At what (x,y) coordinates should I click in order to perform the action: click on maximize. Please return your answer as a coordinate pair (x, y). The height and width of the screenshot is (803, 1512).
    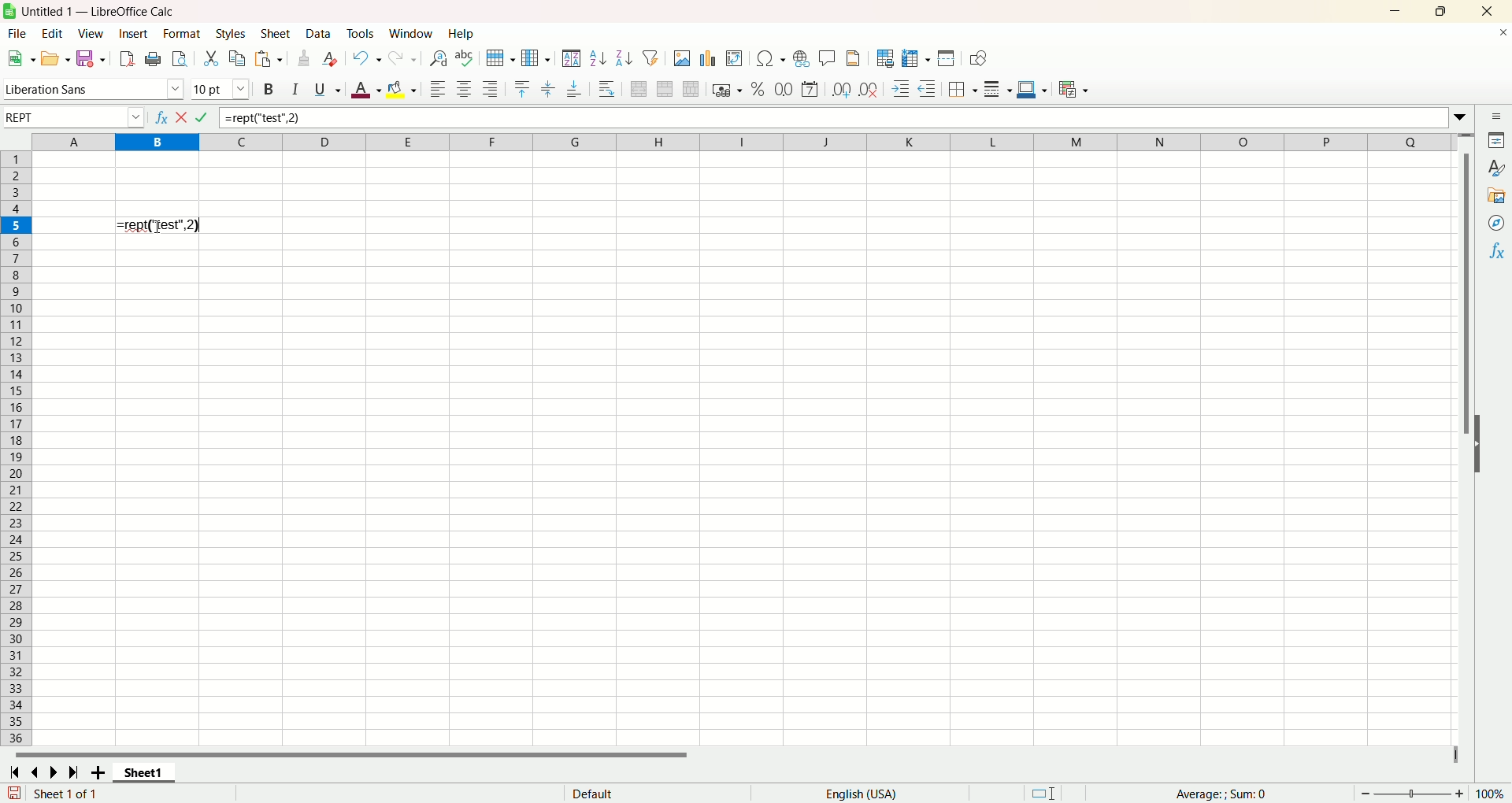
    Looking at the image, I should click on (1439, 13).